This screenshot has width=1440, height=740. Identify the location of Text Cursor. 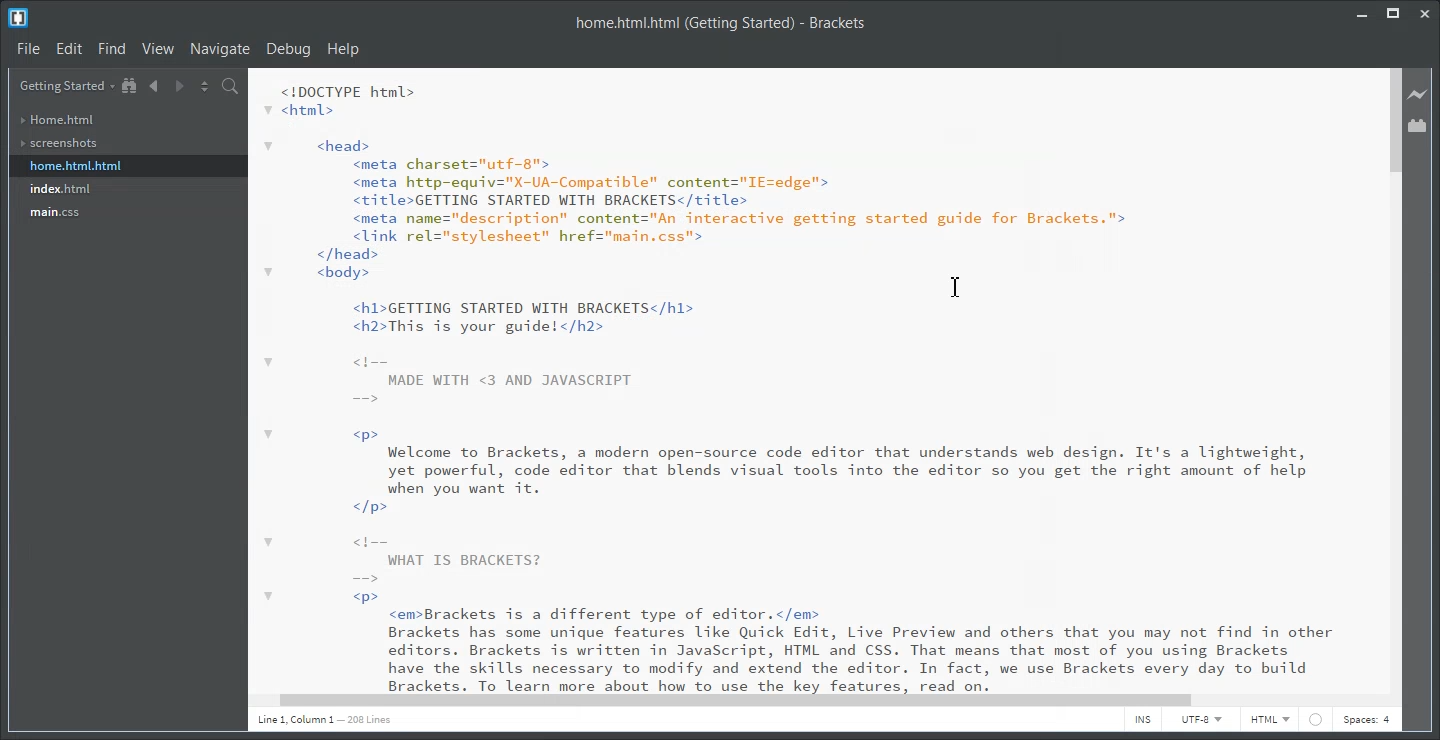
(958, 285).